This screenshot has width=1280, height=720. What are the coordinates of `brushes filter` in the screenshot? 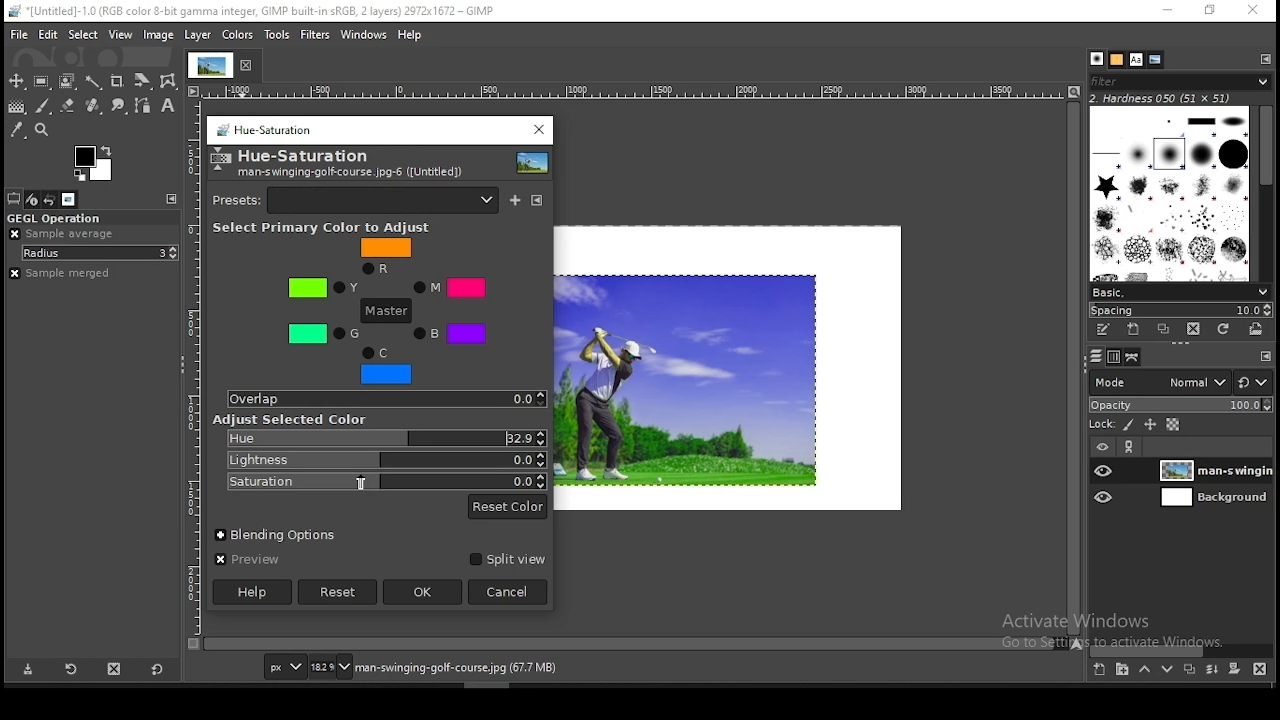 It's located at (1179, 82).